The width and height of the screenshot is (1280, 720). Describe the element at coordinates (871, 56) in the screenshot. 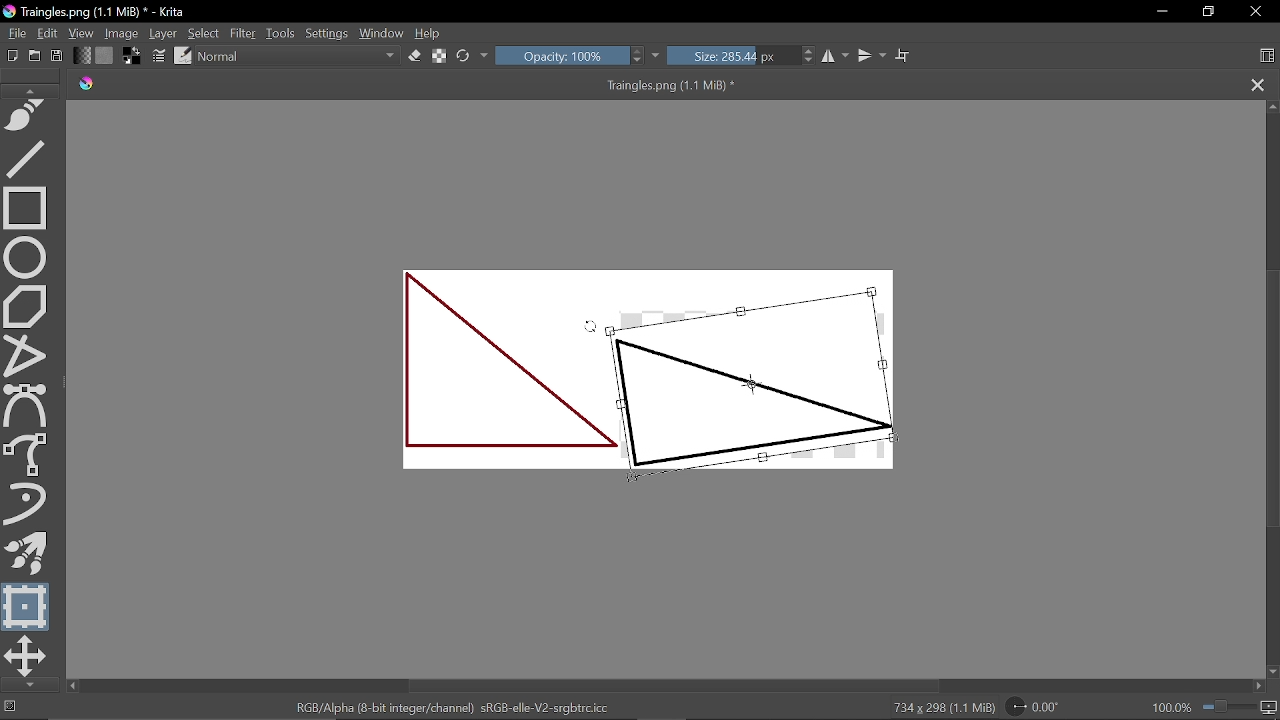

I see `Vertical mirror` at that location.